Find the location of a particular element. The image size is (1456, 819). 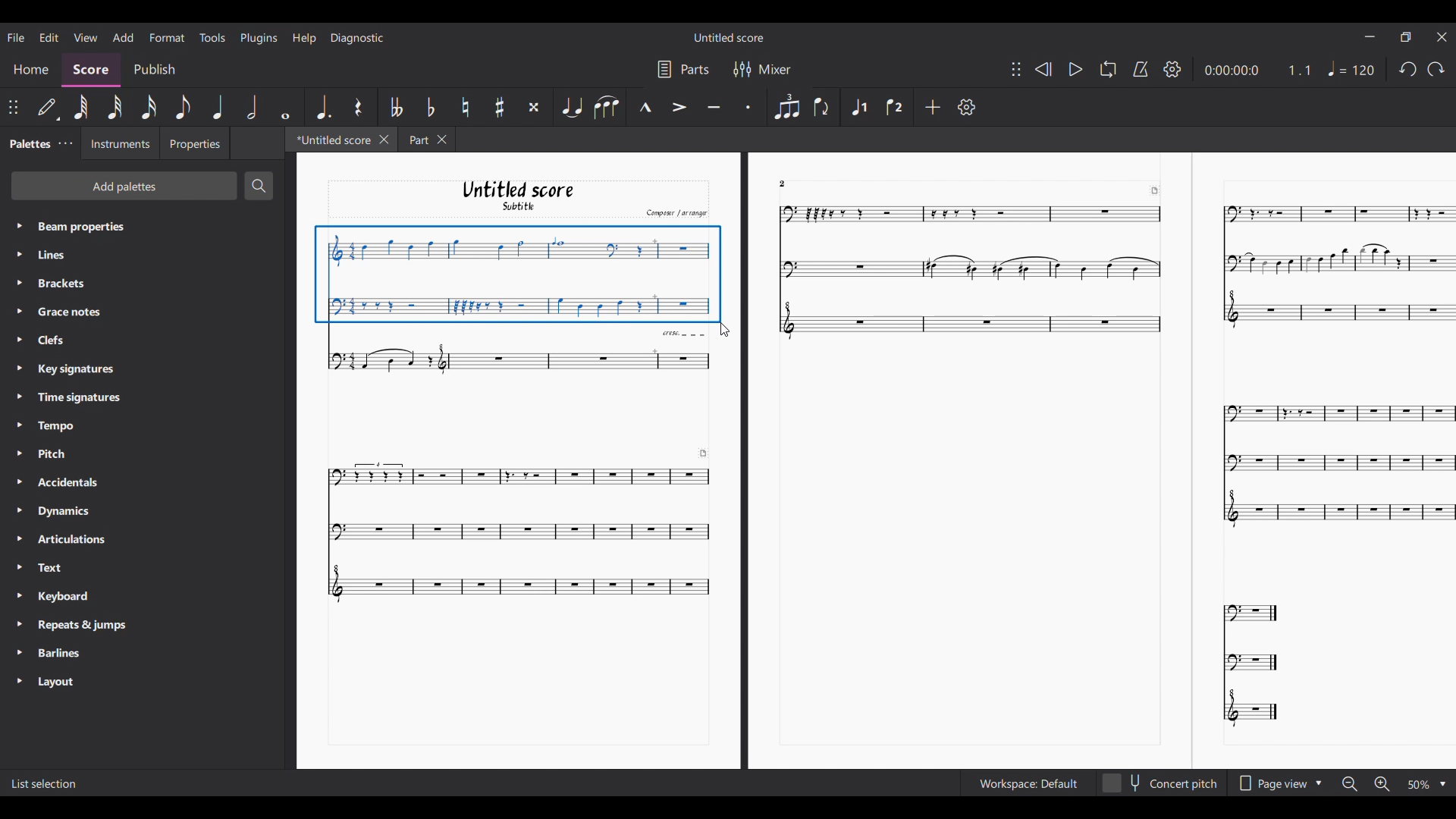

Half note is located at coordinates (253, 107).